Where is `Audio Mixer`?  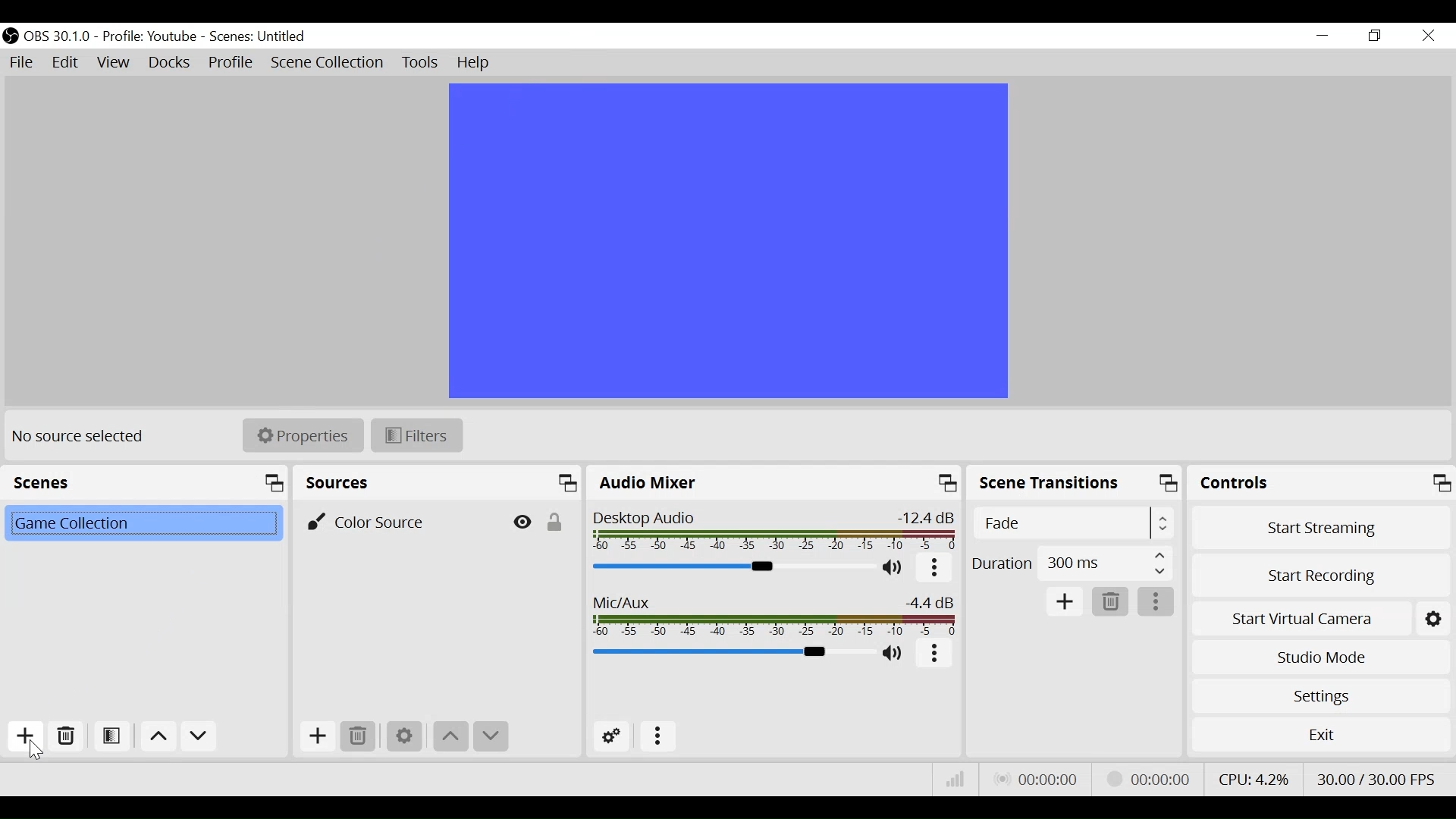 Audio Mixer is located at coordinates (774, 483).